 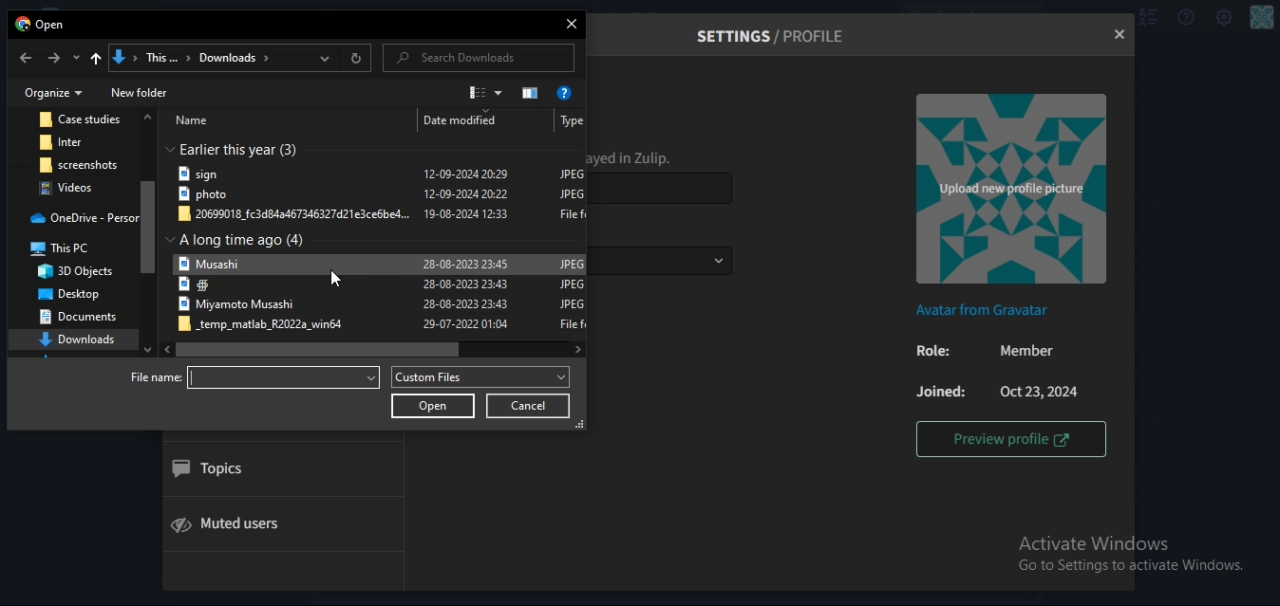 What do you see at coordinates (54, 58) in the screenshot?
I see `forward` at bounding box center [54, 58].